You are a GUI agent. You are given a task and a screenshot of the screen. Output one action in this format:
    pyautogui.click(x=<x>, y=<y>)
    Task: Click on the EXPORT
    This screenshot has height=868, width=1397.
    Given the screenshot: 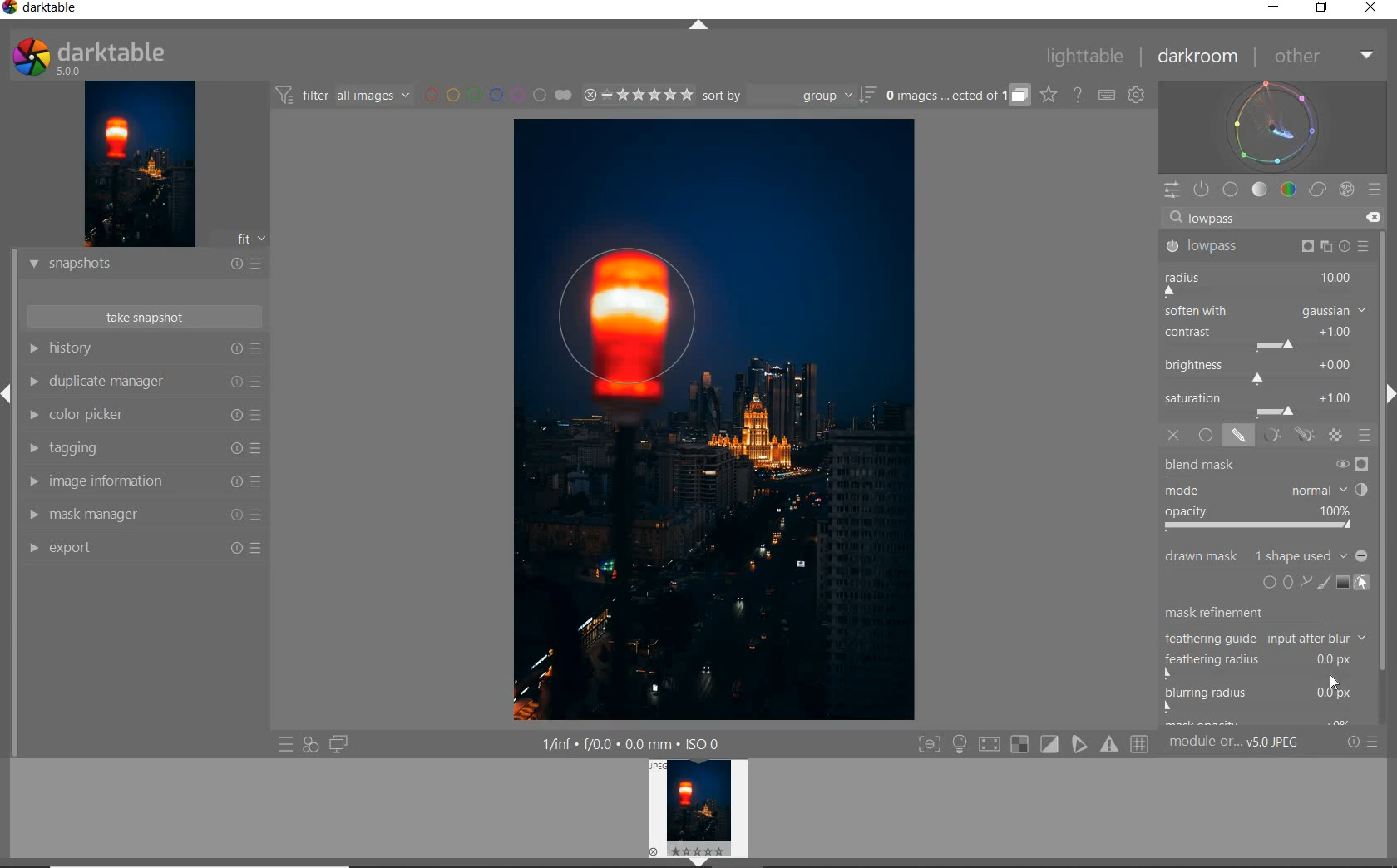 What is the action you would take?
    pyautogui.click(x=146, y=548)
    